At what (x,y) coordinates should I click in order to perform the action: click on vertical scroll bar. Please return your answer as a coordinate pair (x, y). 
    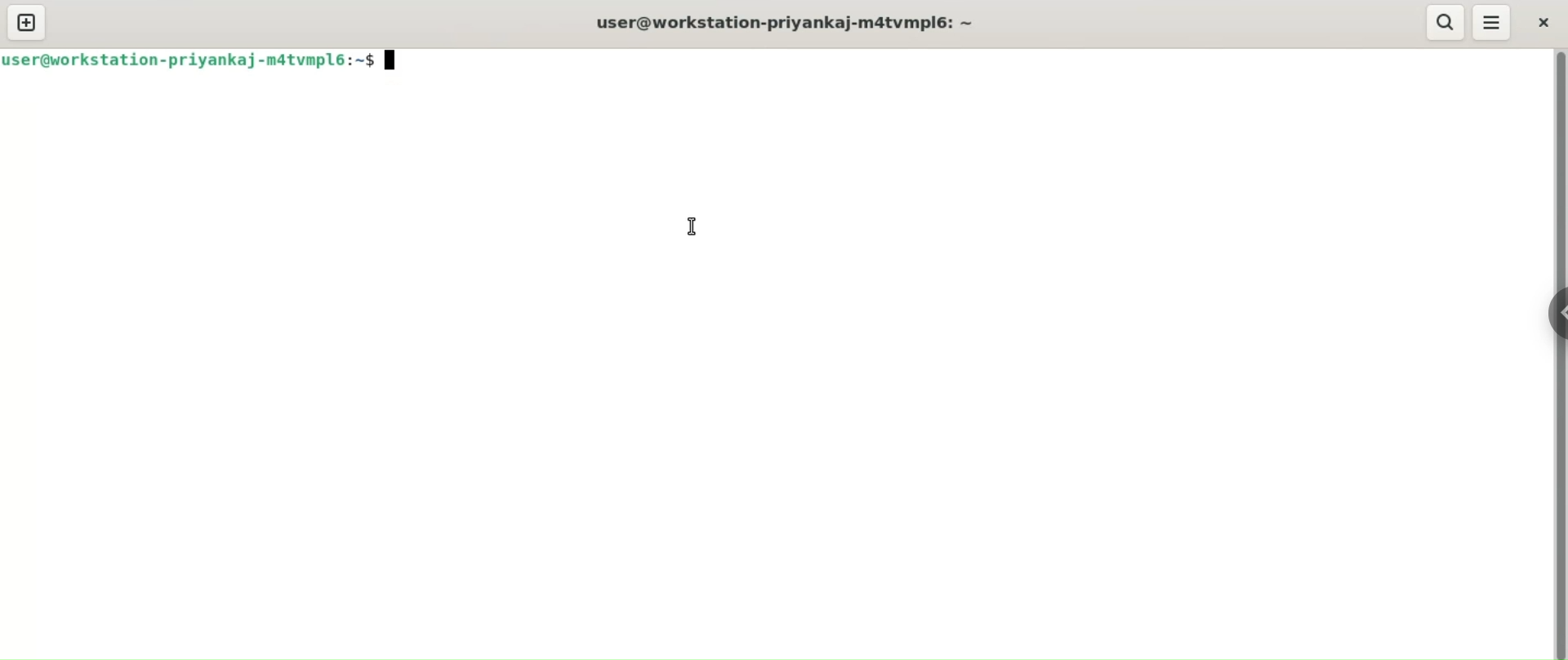
    Looking at the image, I should click on (1558, 354).